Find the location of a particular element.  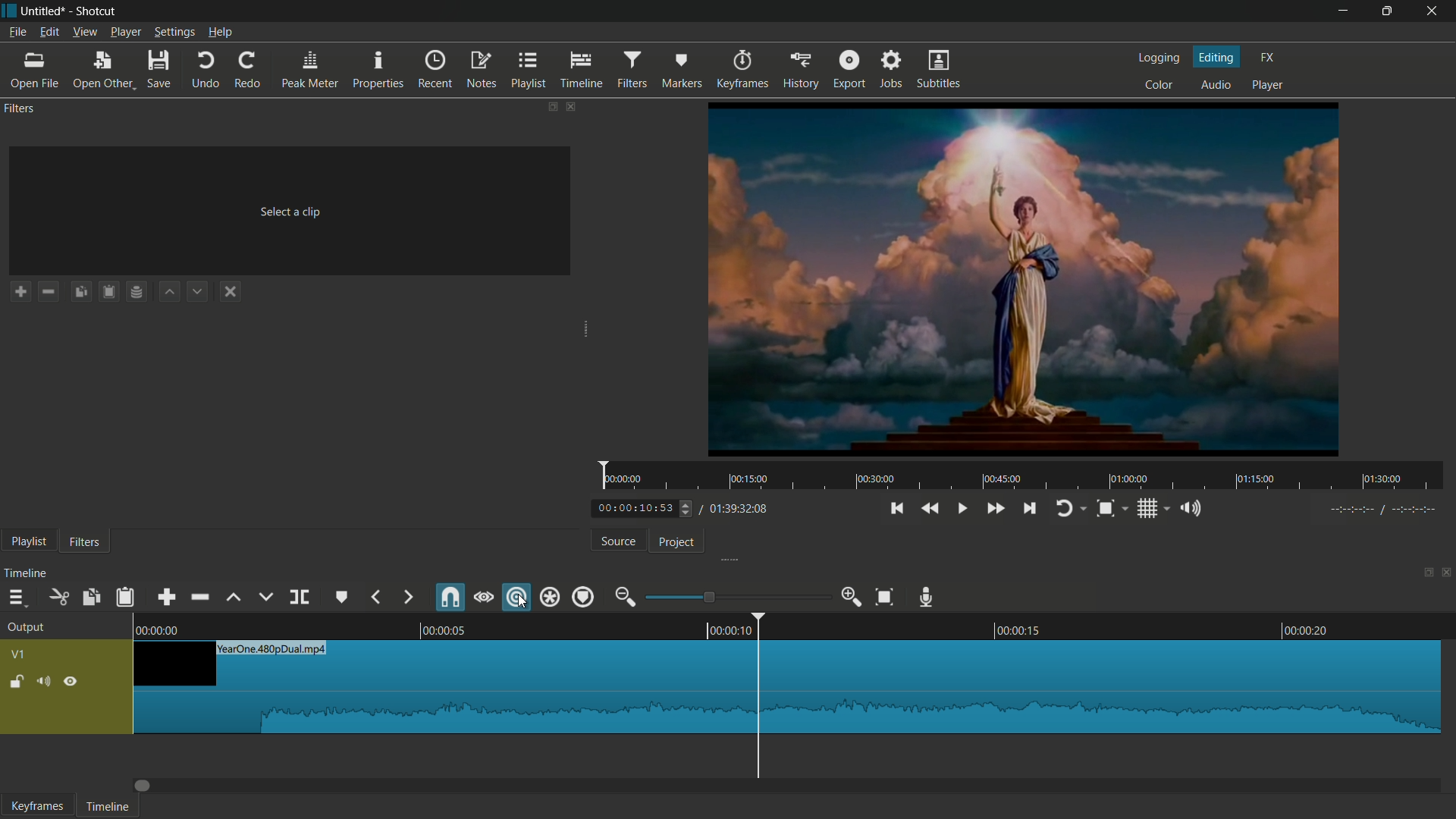

select clip is located at coordinates (293, 212).